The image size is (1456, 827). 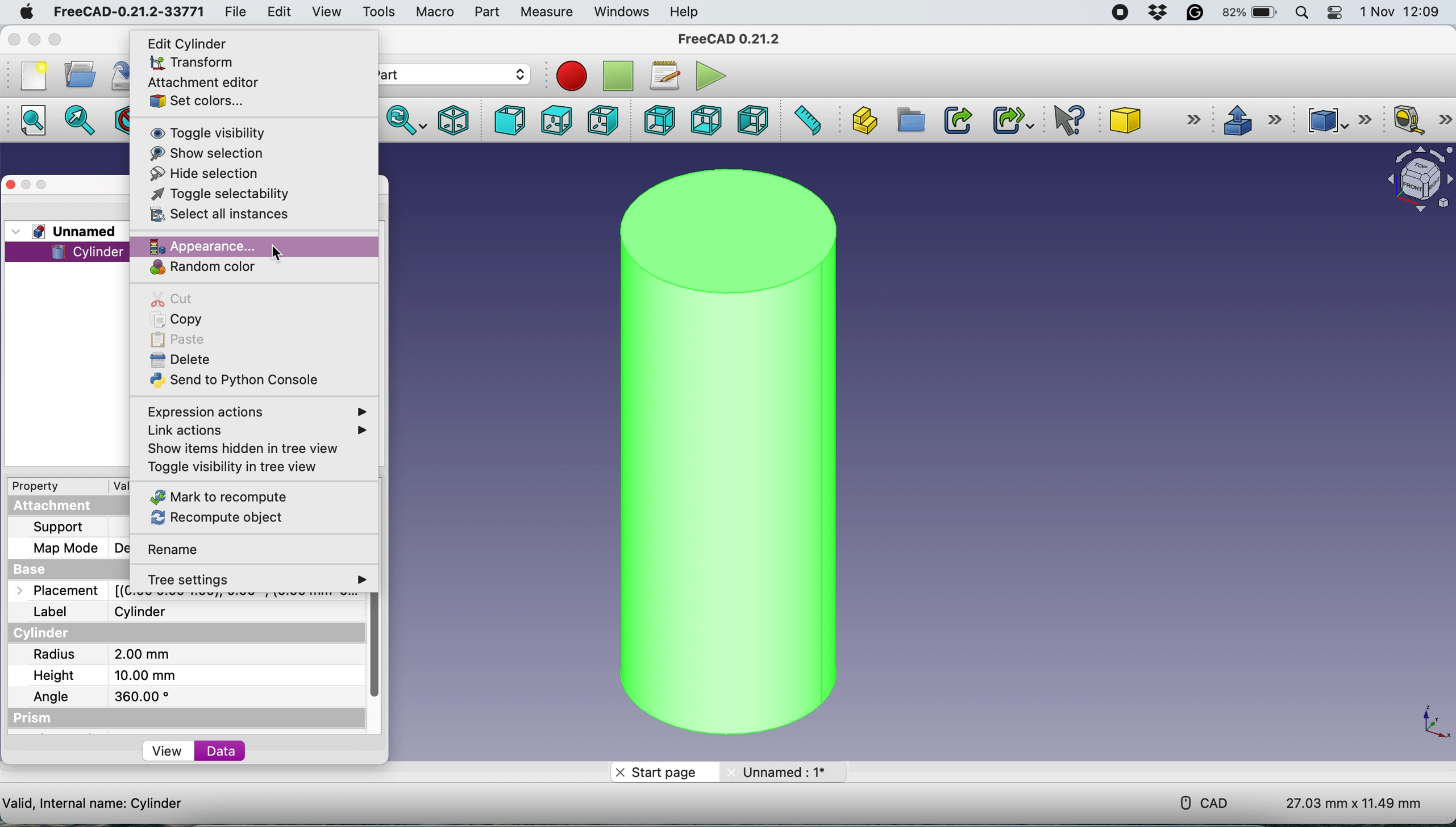 I want to click on extrusions, so click(x=1256, y=122).